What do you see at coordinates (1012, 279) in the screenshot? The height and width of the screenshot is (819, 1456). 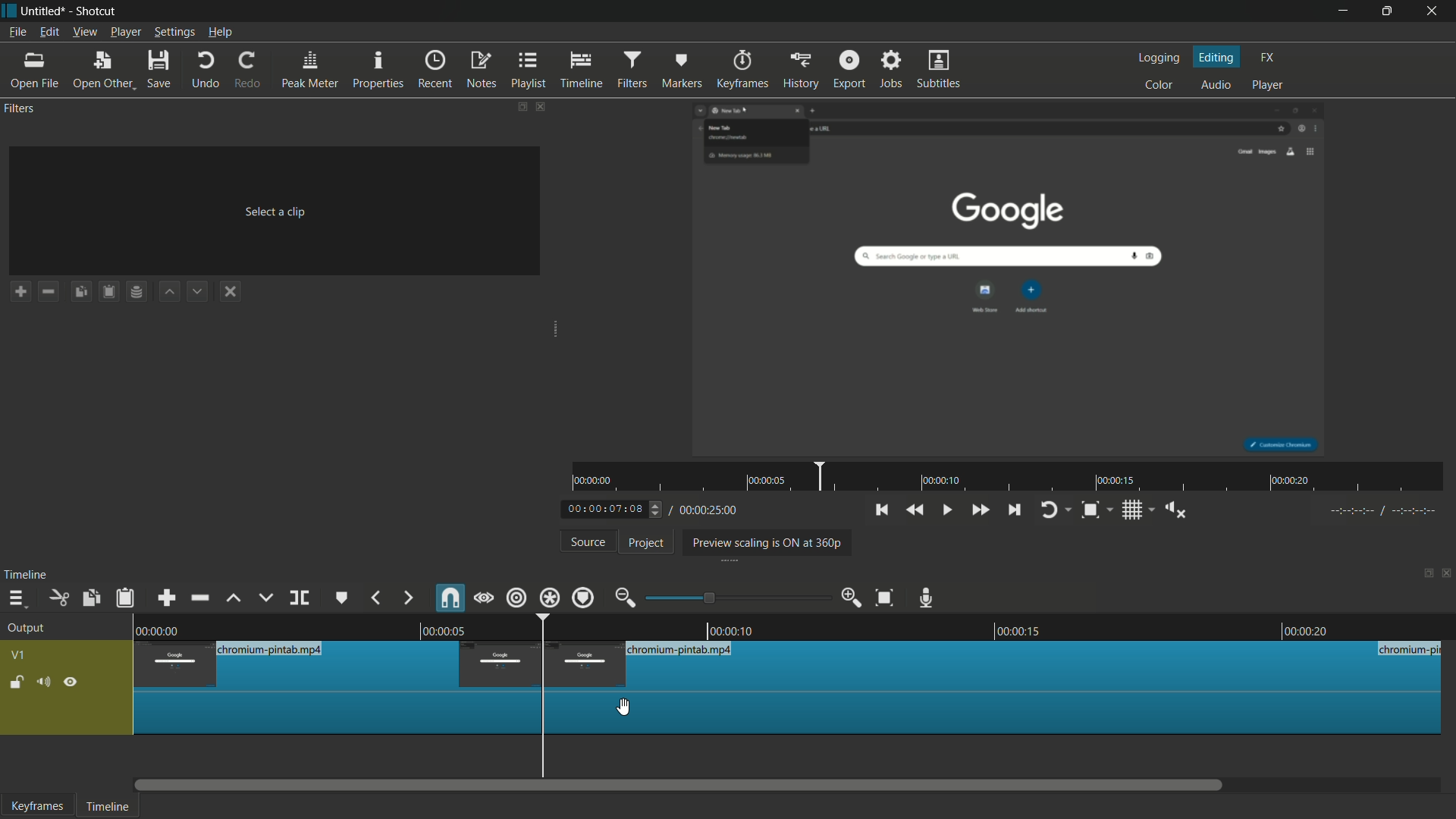 I see `preview video` at bounding box center [1012, 279].